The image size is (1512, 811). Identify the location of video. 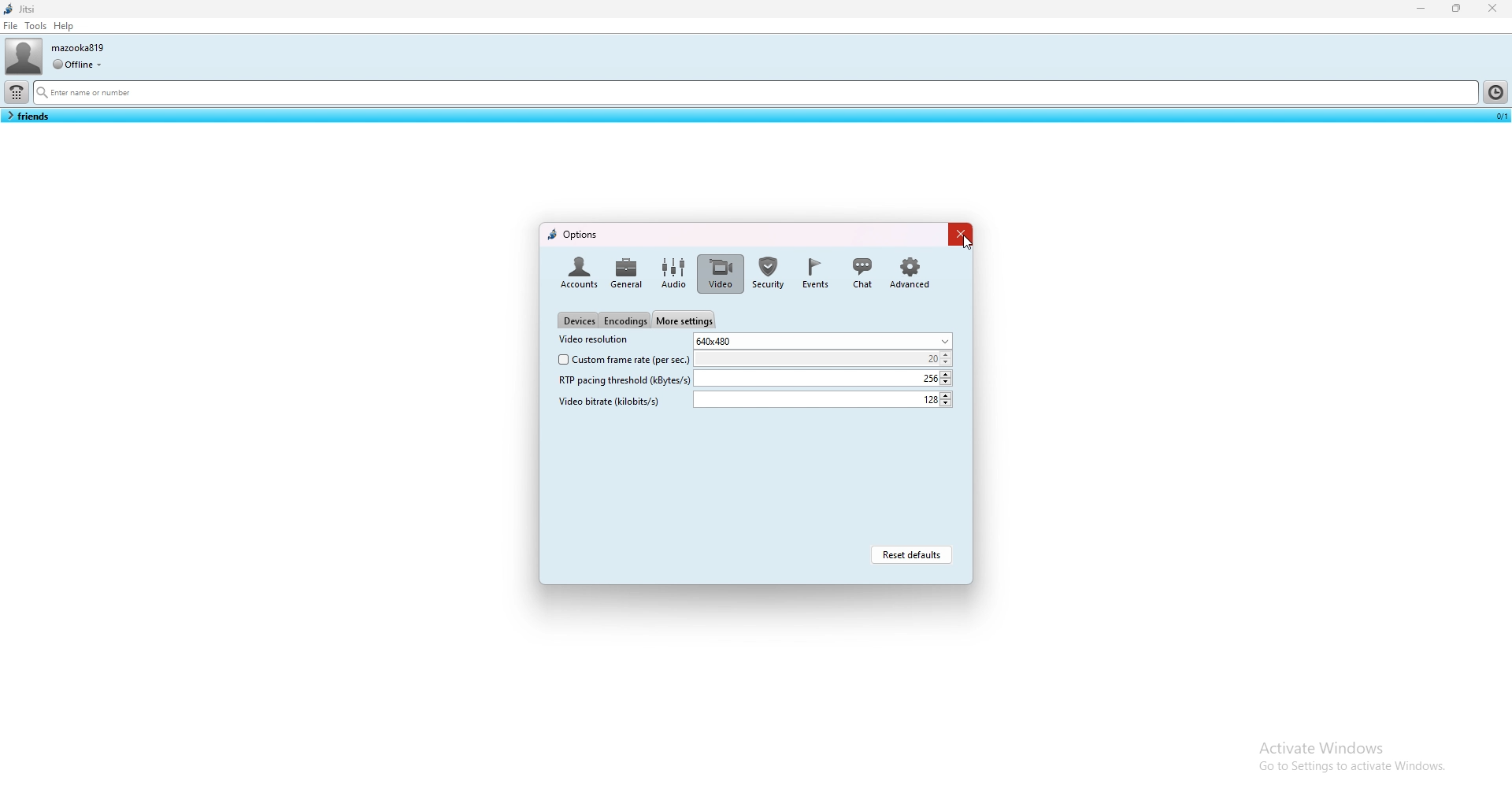
(720, 273).